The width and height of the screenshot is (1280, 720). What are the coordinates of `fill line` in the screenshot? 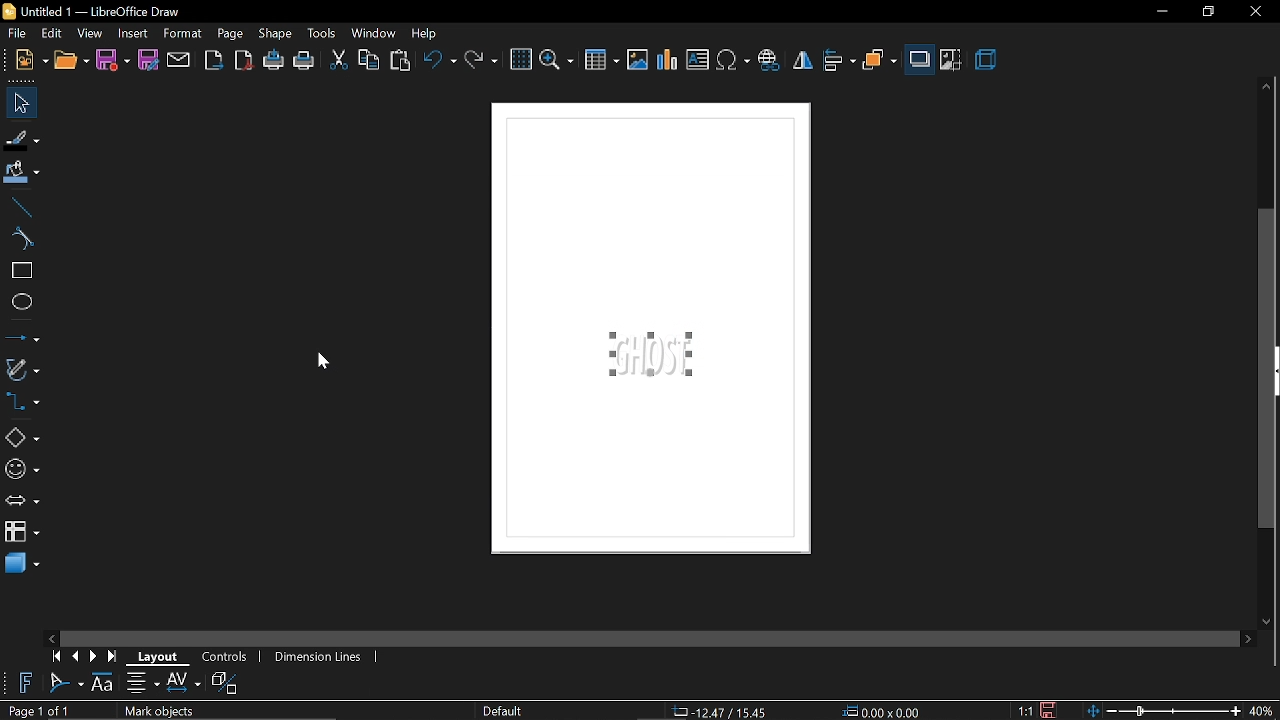 It's located at (23, 138).